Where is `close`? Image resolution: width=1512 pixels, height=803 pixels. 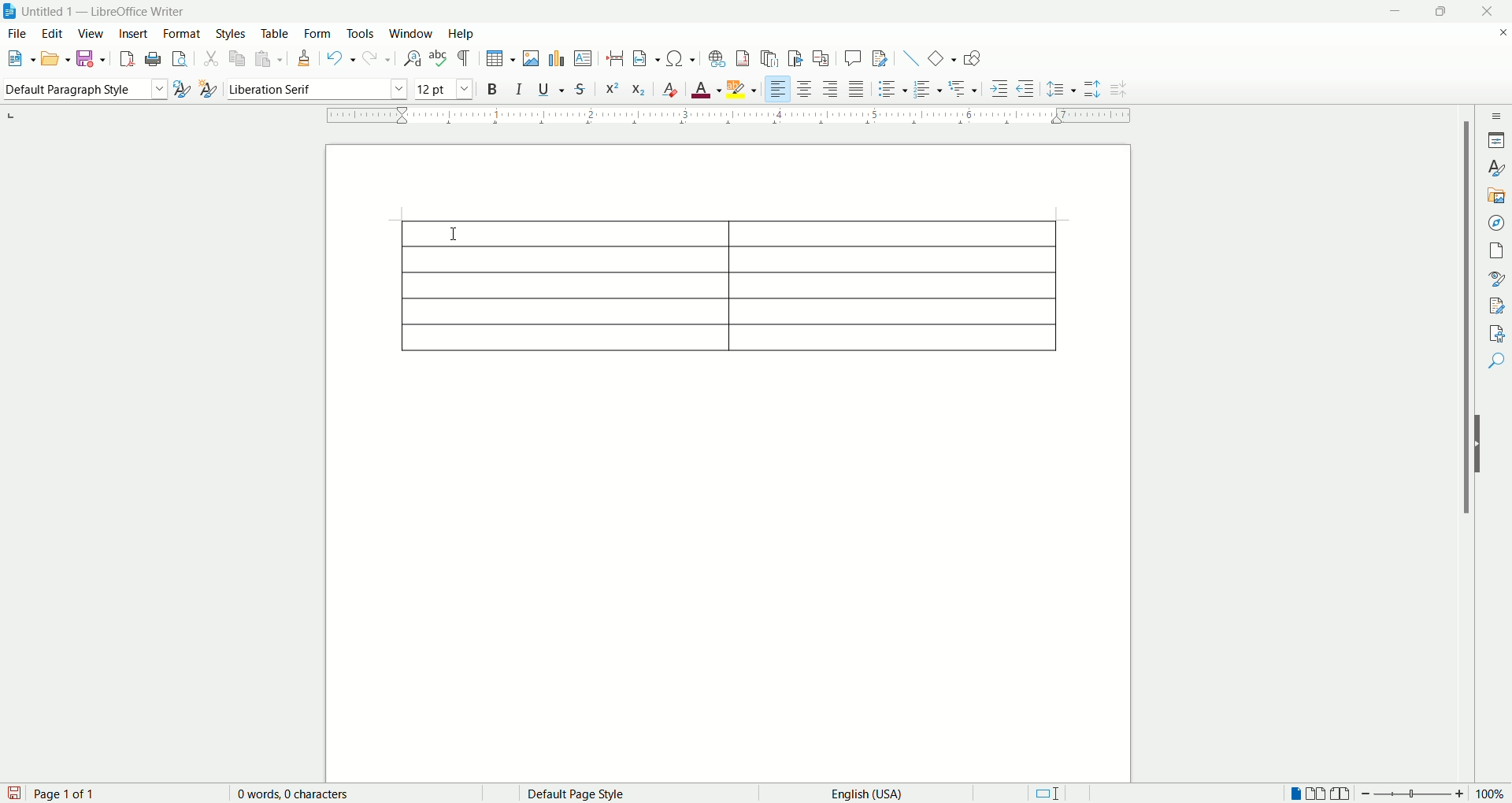 close is located at coordinates (1484, 13).